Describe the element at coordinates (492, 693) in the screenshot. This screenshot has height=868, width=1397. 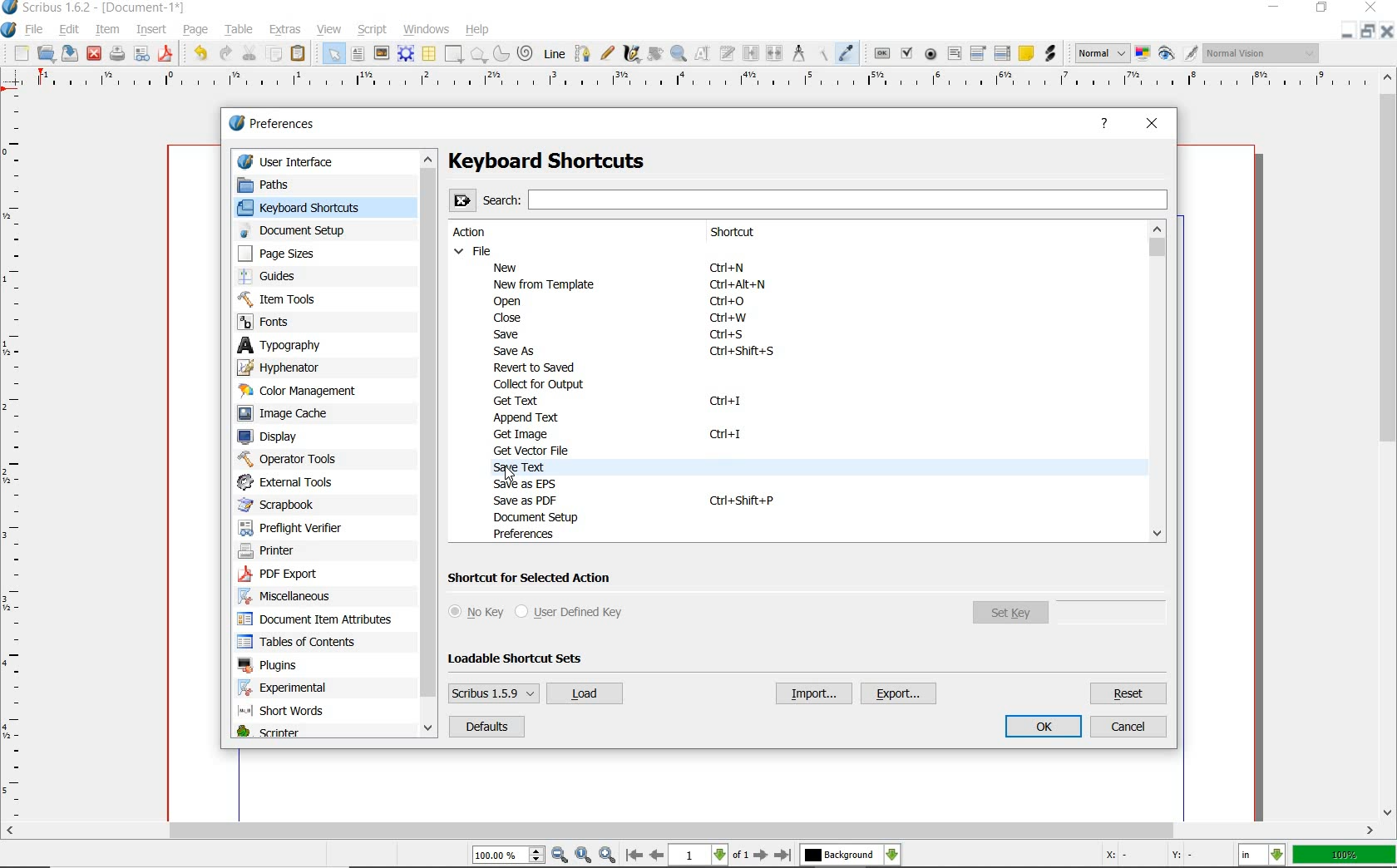
I see `scribus 1.5.9` at that location.